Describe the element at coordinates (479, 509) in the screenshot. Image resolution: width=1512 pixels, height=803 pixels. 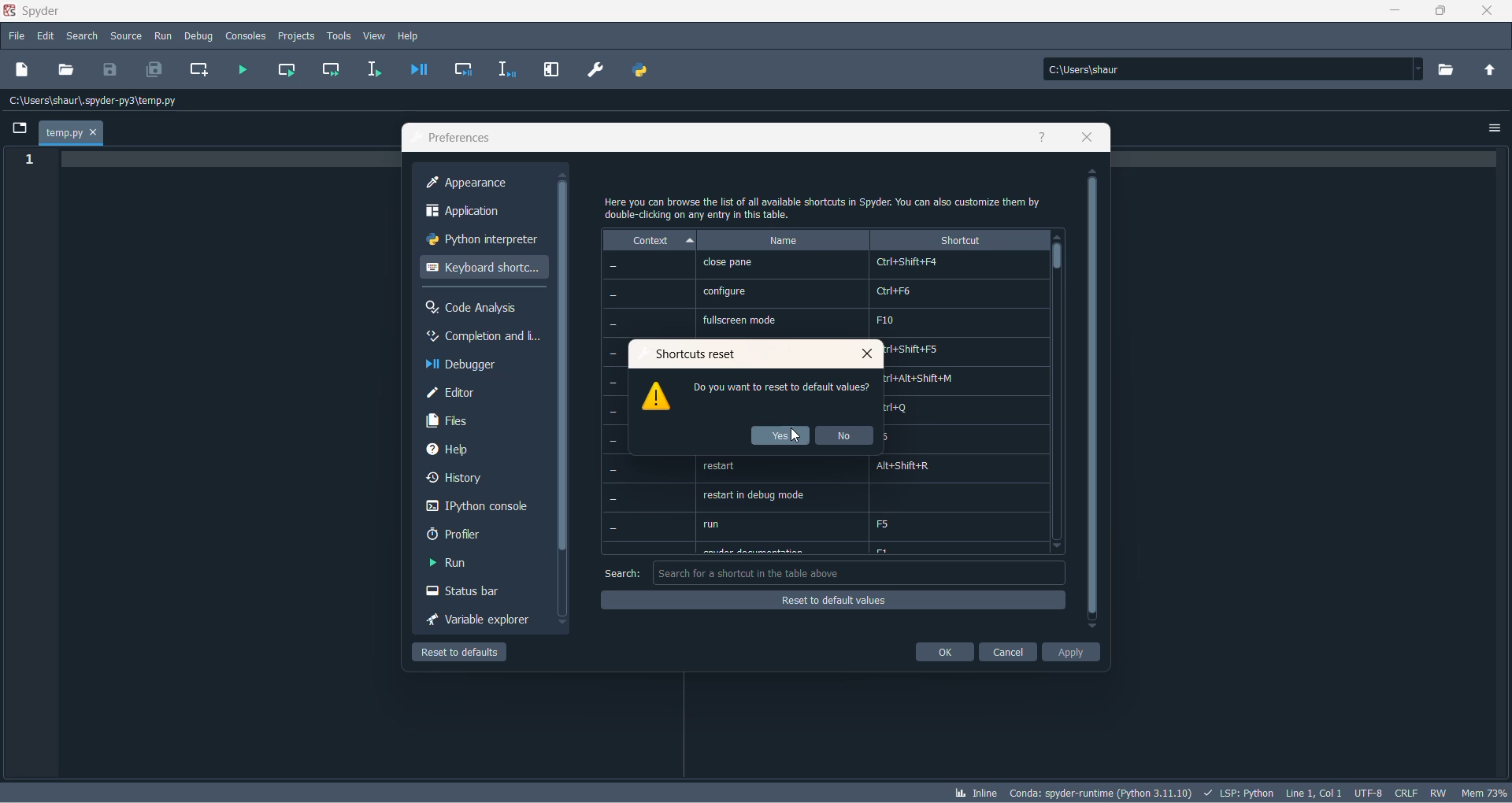
I see `Ipython console` at that location.